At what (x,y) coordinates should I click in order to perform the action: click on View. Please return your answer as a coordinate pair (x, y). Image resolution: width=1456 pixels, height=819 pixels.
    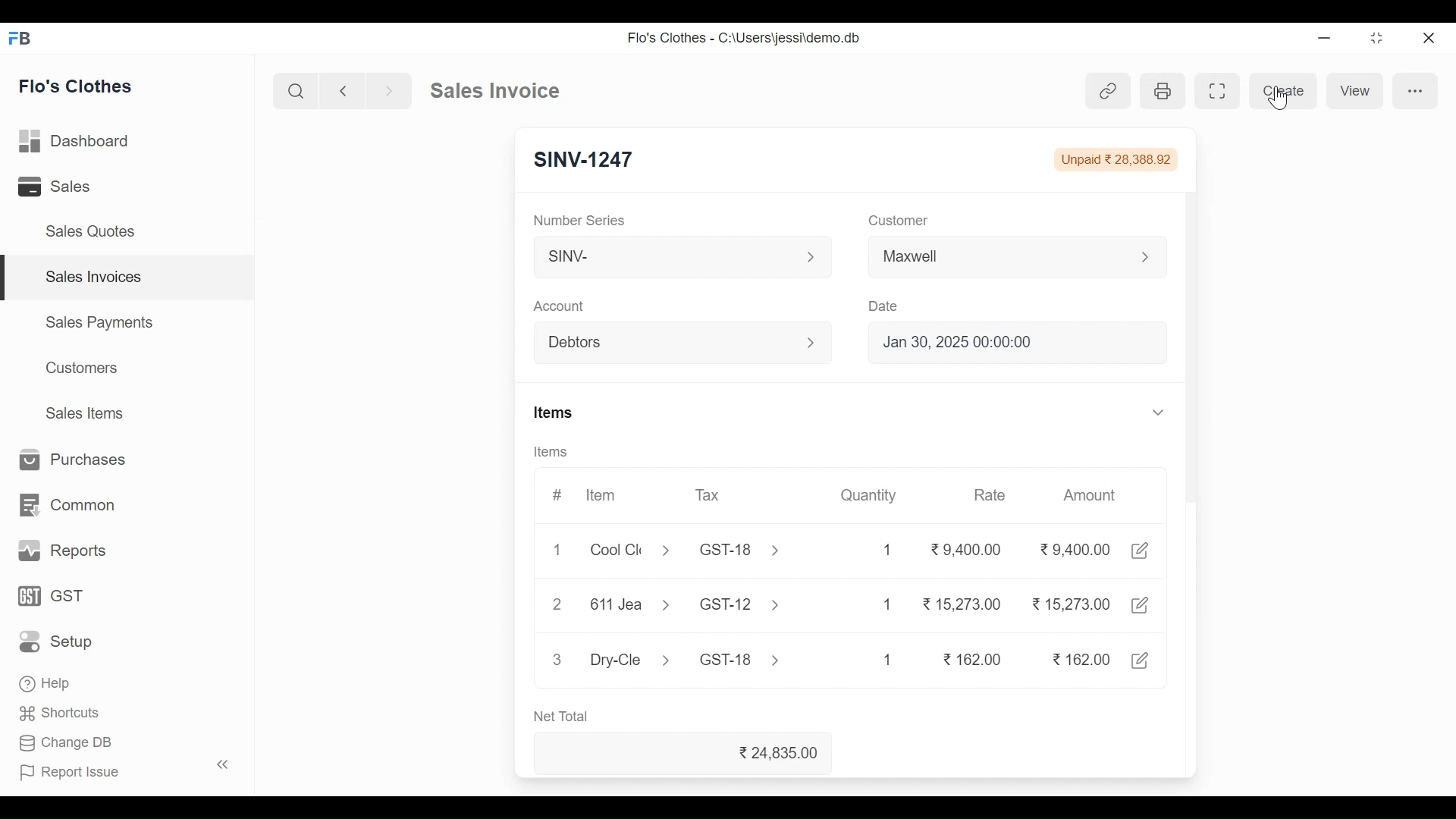
    Looking at the image, I should click on (1354, 91).